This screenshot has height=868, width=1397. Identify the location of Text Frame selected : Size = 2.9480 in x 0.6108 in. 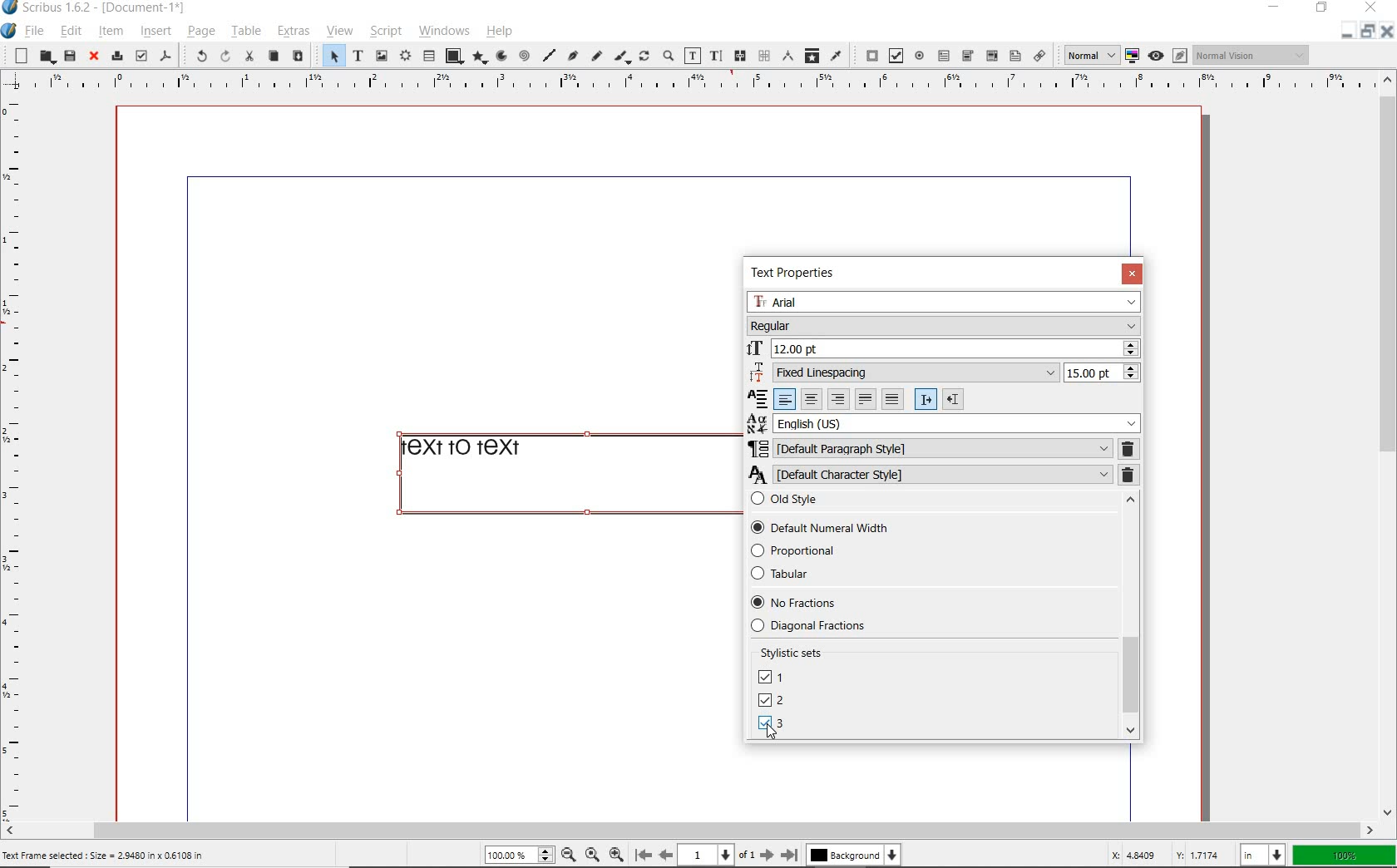
(105, 856).